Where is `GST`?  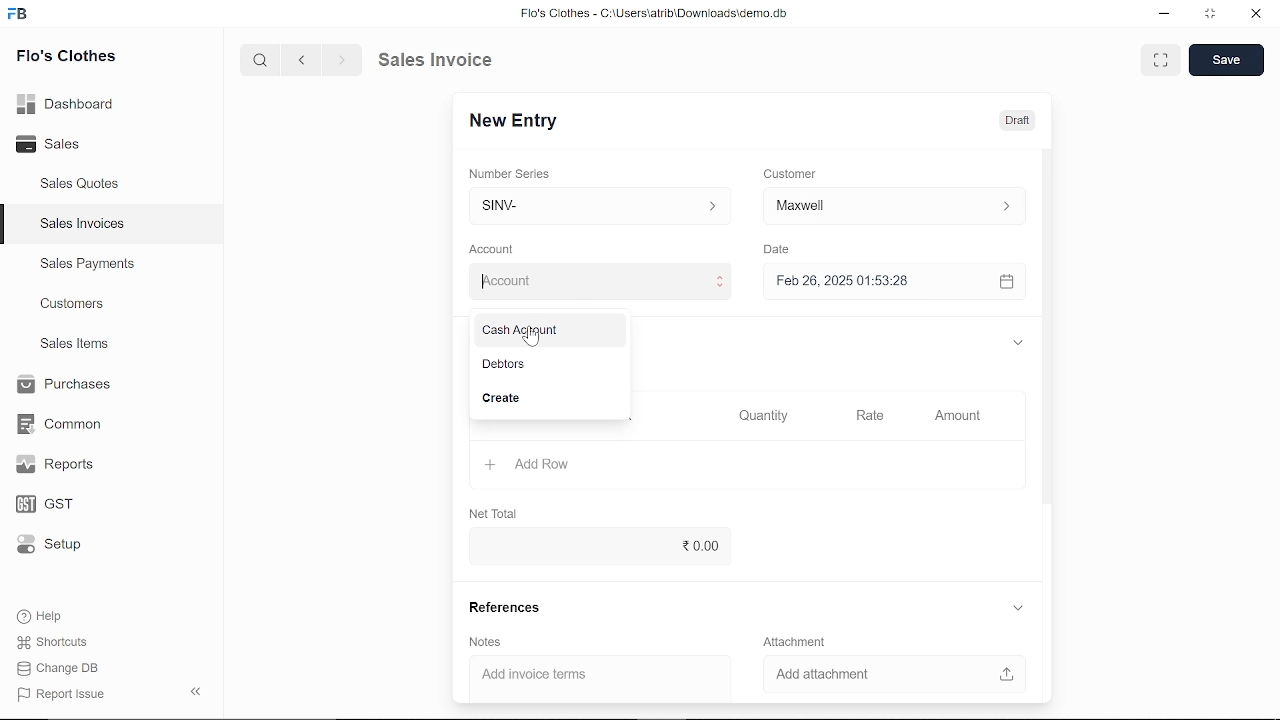 GST is located at coordinates (62, 505).